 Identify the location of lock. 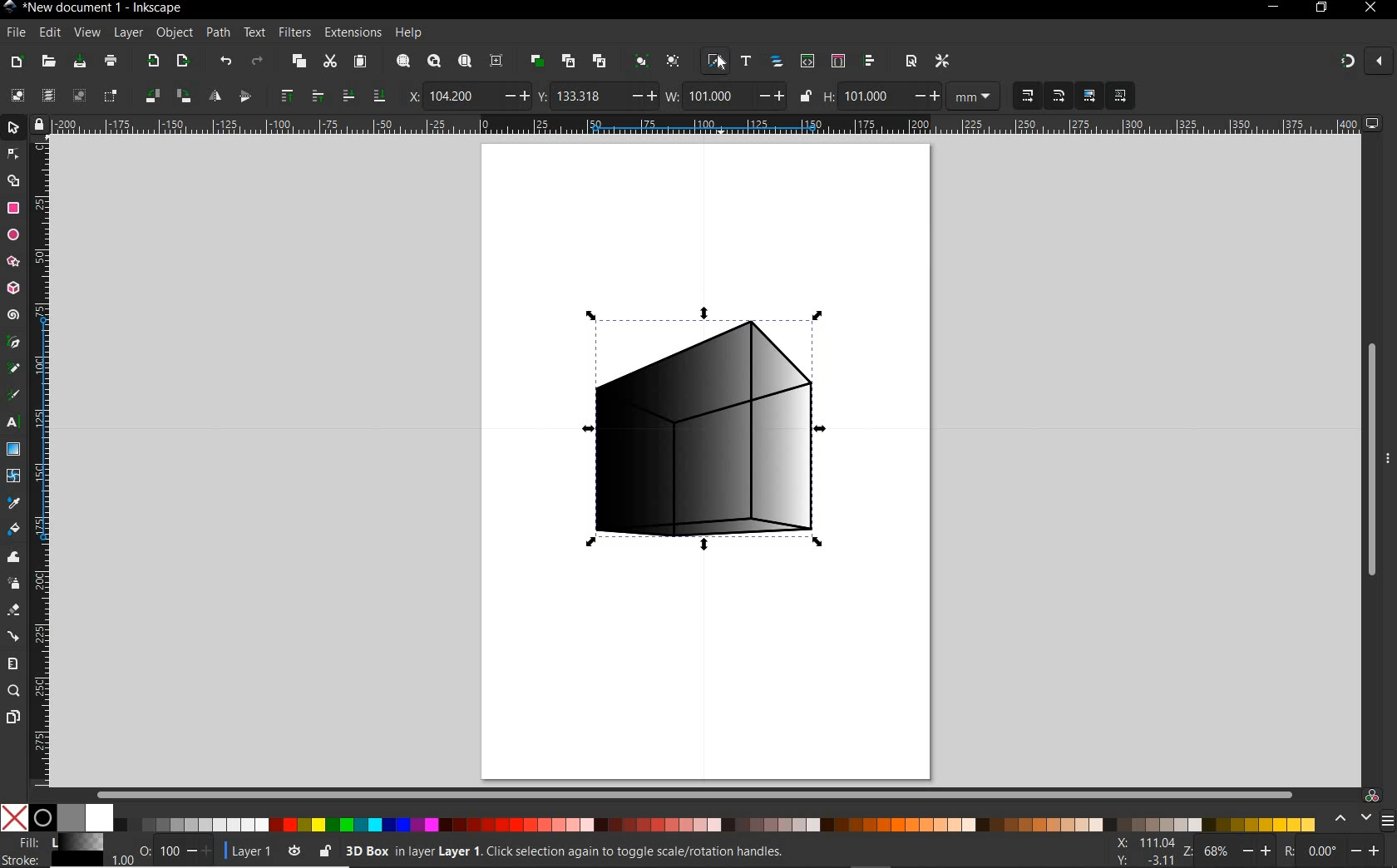
(39, 124).